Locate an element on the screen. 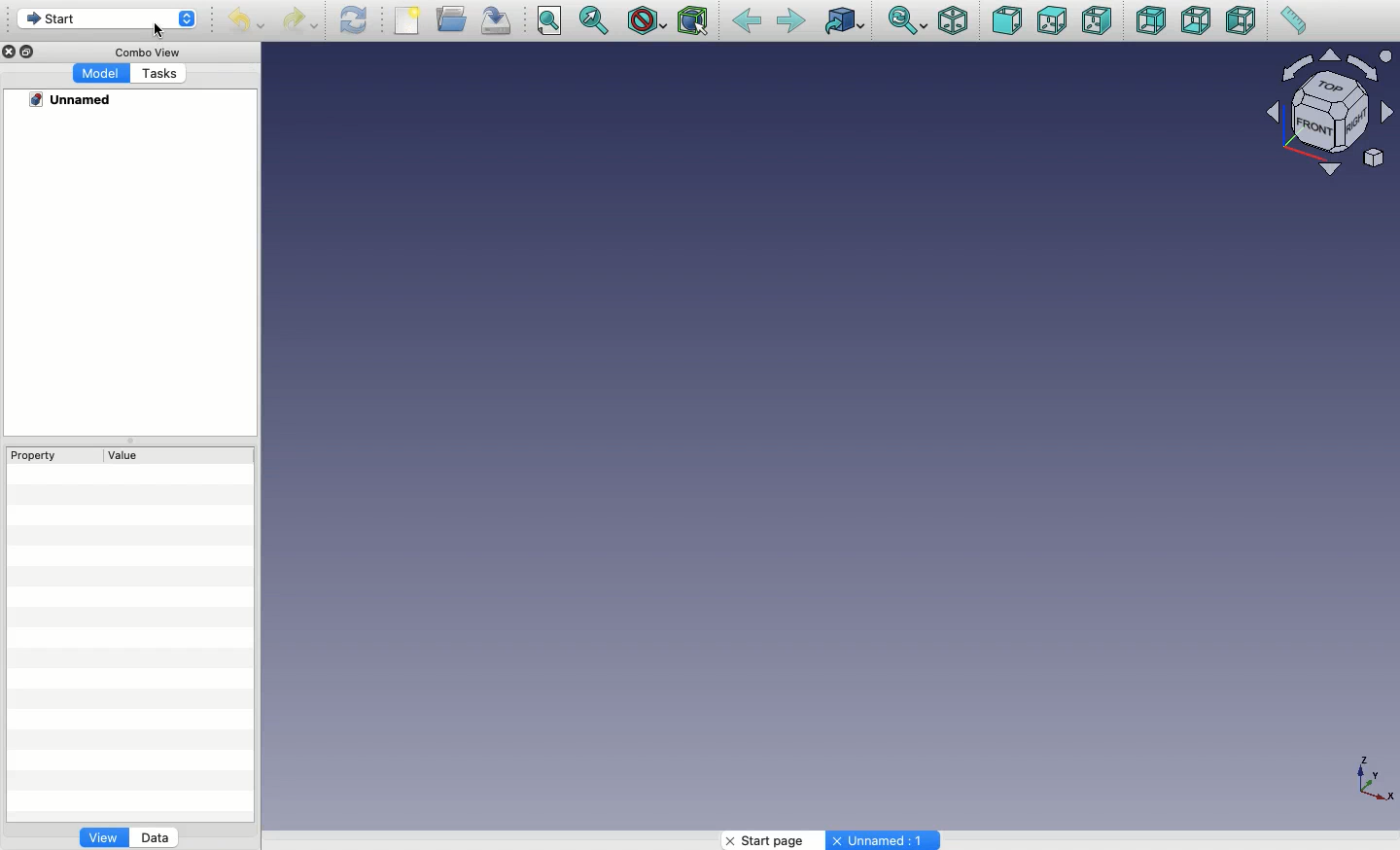 Image resolution: width=1400 pixels, height=850 pixels. Right is located at coordinates (1098, 22).